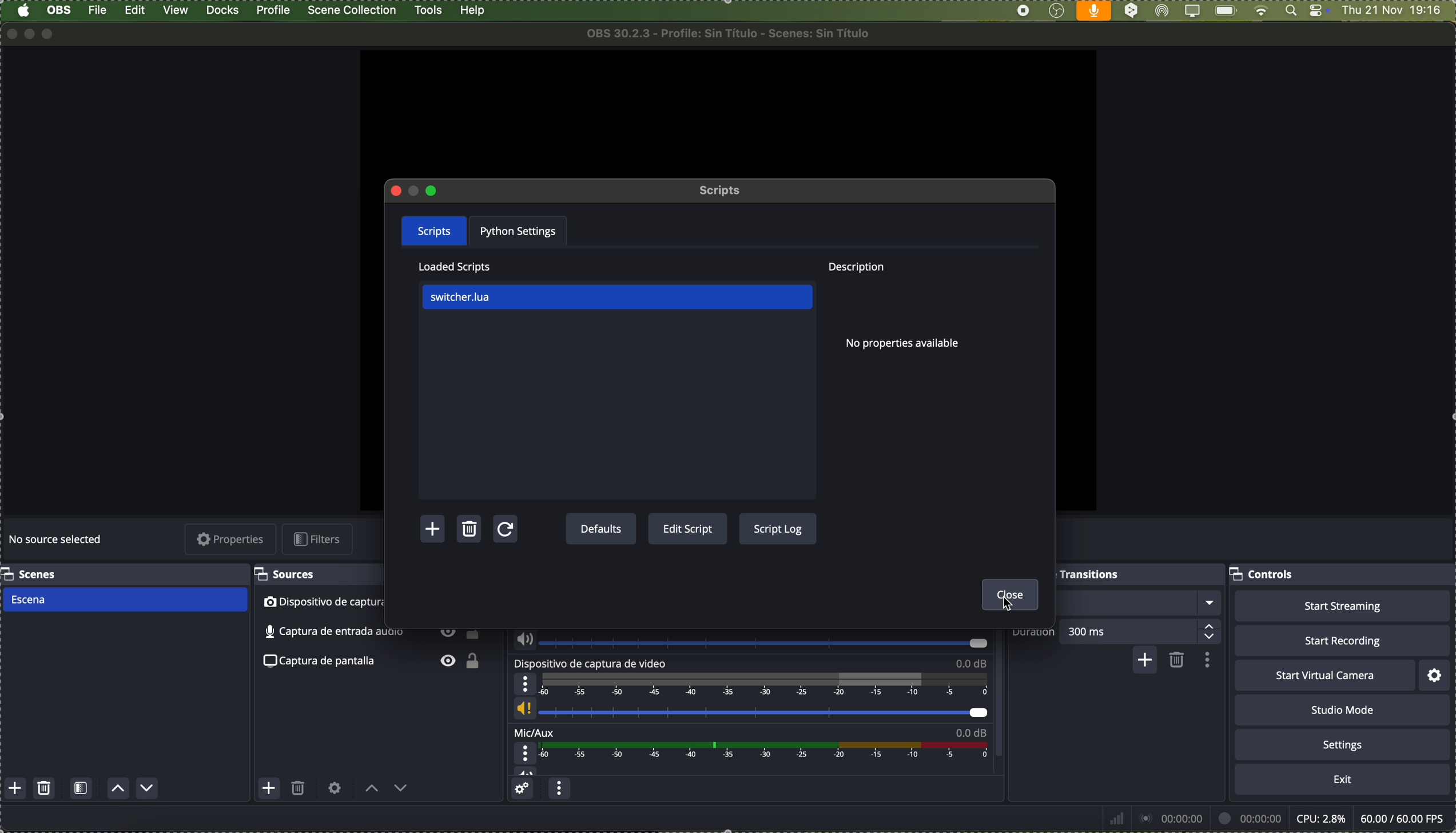  I want to click on video capture device, so click(751, 691).